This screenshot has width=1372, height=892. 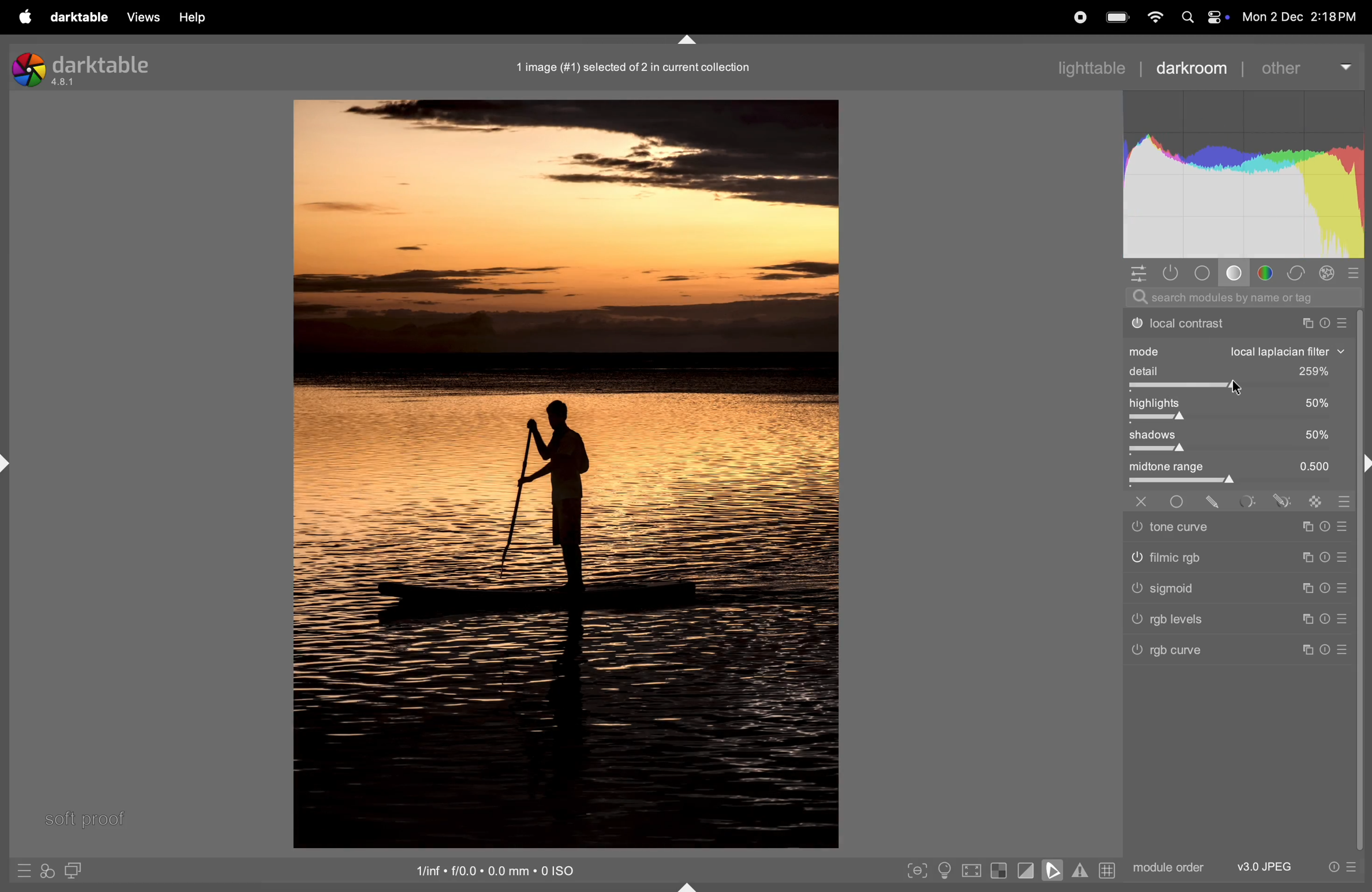 I want to click on sign, so click(x=1344, y=560).